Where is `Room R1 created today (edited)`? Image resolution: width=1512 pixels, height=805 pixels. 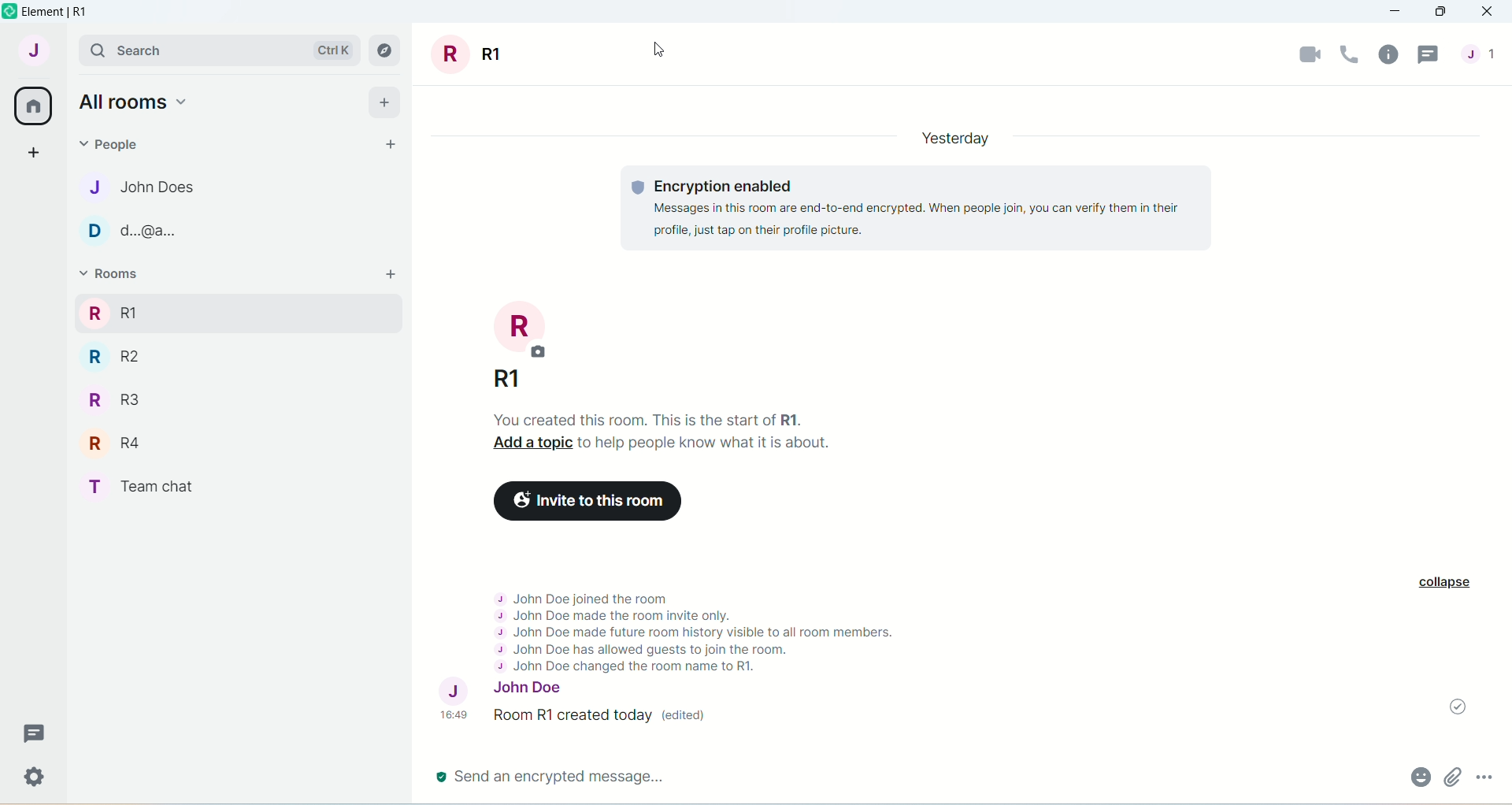 Room R1 created today (edited) is located at coordinates (613, 721).